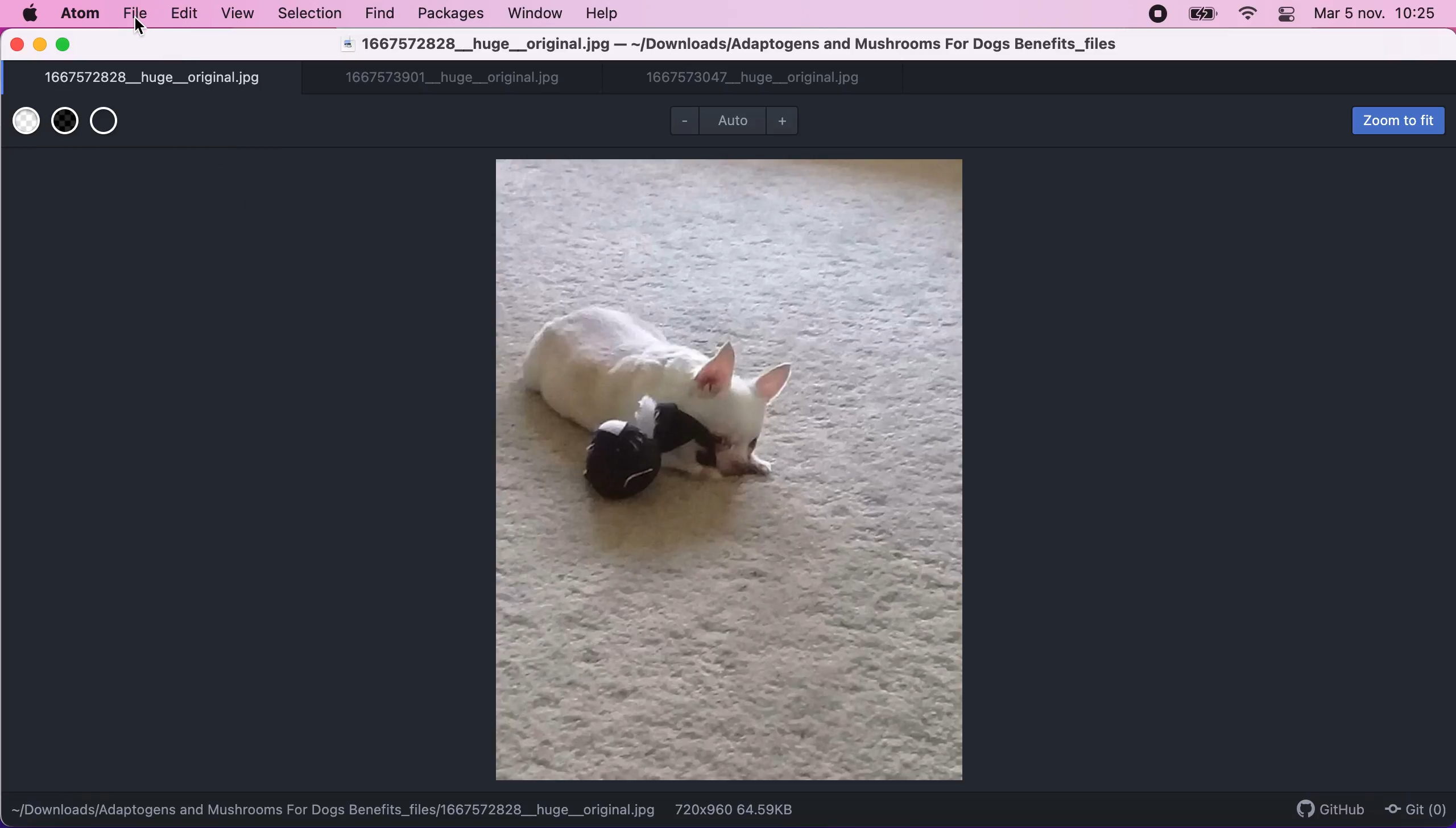 The image size is (1456, 828). What do you see at coordinates (109, 123) in the screenshot?
I see `use transparent background` at bounding box center [109, 123].